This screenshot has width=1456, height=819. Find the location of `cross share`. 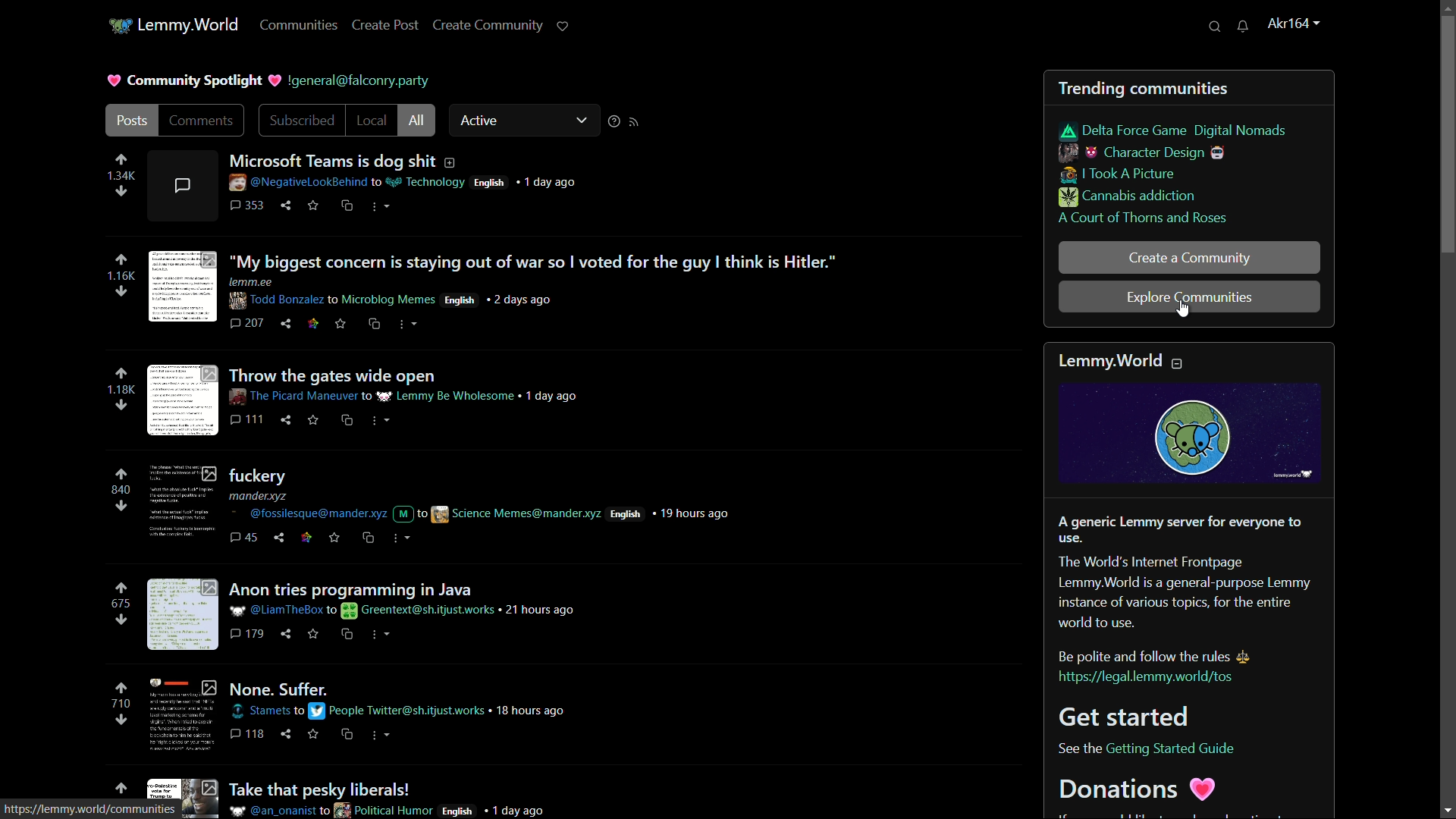

cross share is located at coordinates (346, 419).